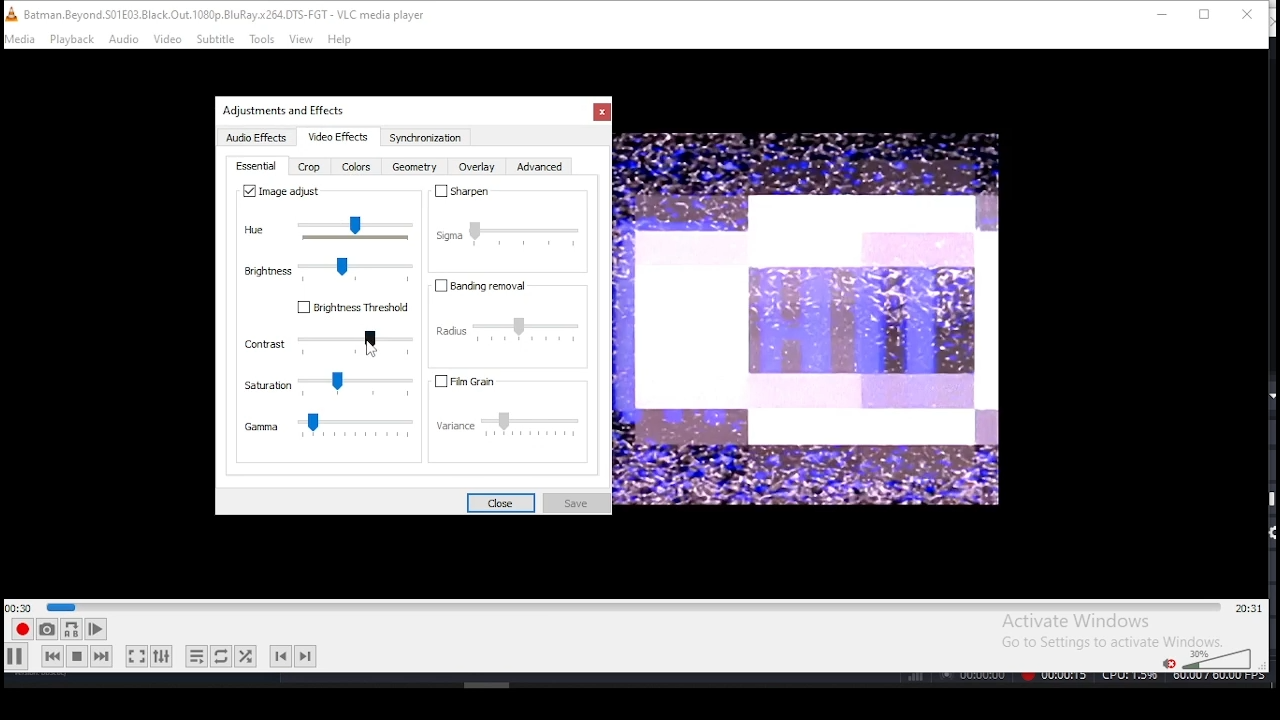 The width and height of the screenshot is (1280, 720). Describe the element at coordinates (76, 656) in the screenshot. I see `stop` at that location.